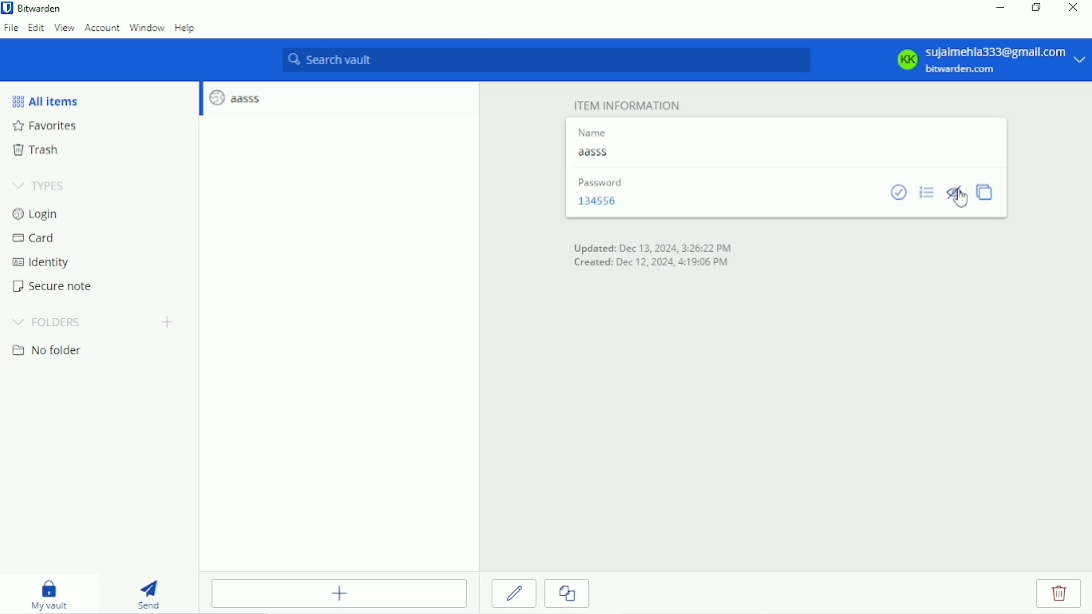 This screenshot has width=1092, height=614. Describe the element at coordinates (545, 58) in the screenshot. I see `Search vault` at that location.